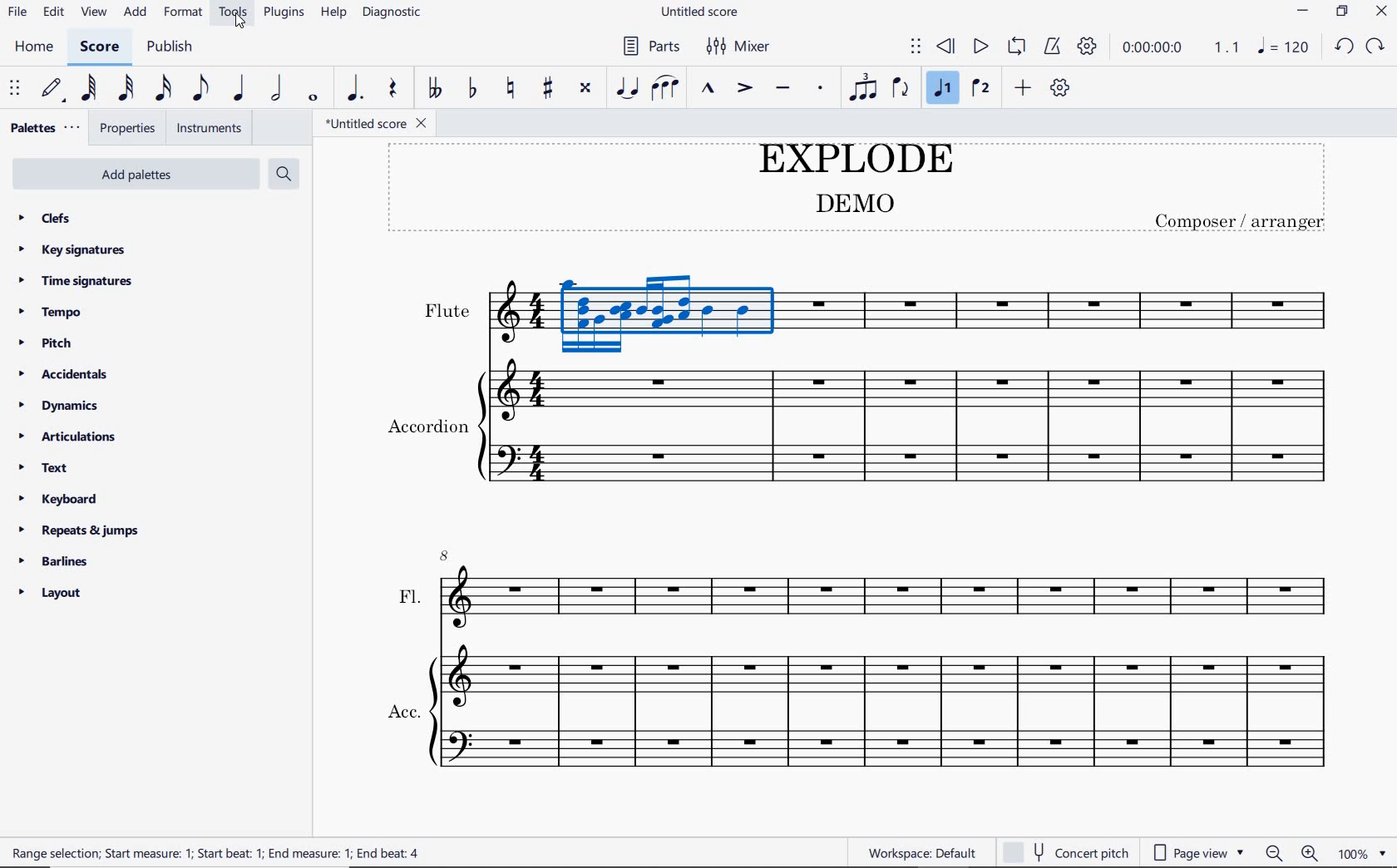 Image resolution: width=1397 pixels, height=868 pixels. Describe the element at coordinates (1379, 11) in the screenshot. I see `close` at that location.